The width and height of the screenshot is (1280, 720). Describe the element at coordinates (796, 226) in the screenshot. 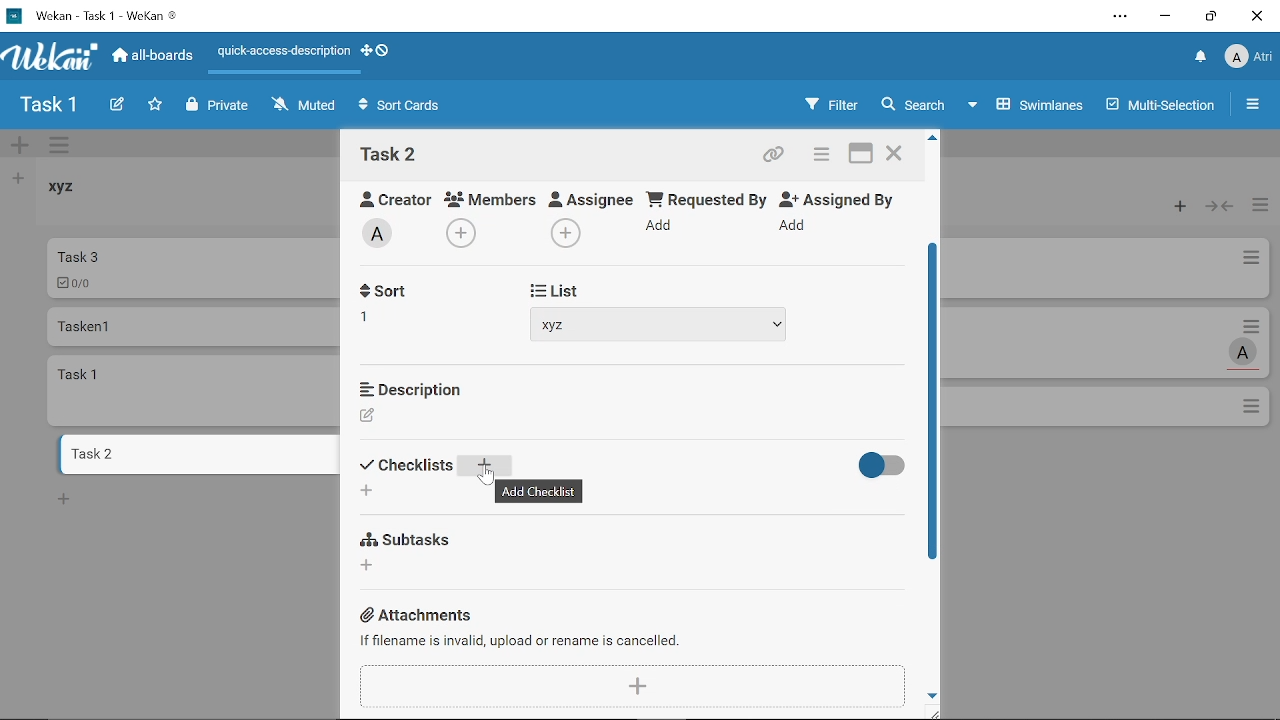

I see `Add` at that location.